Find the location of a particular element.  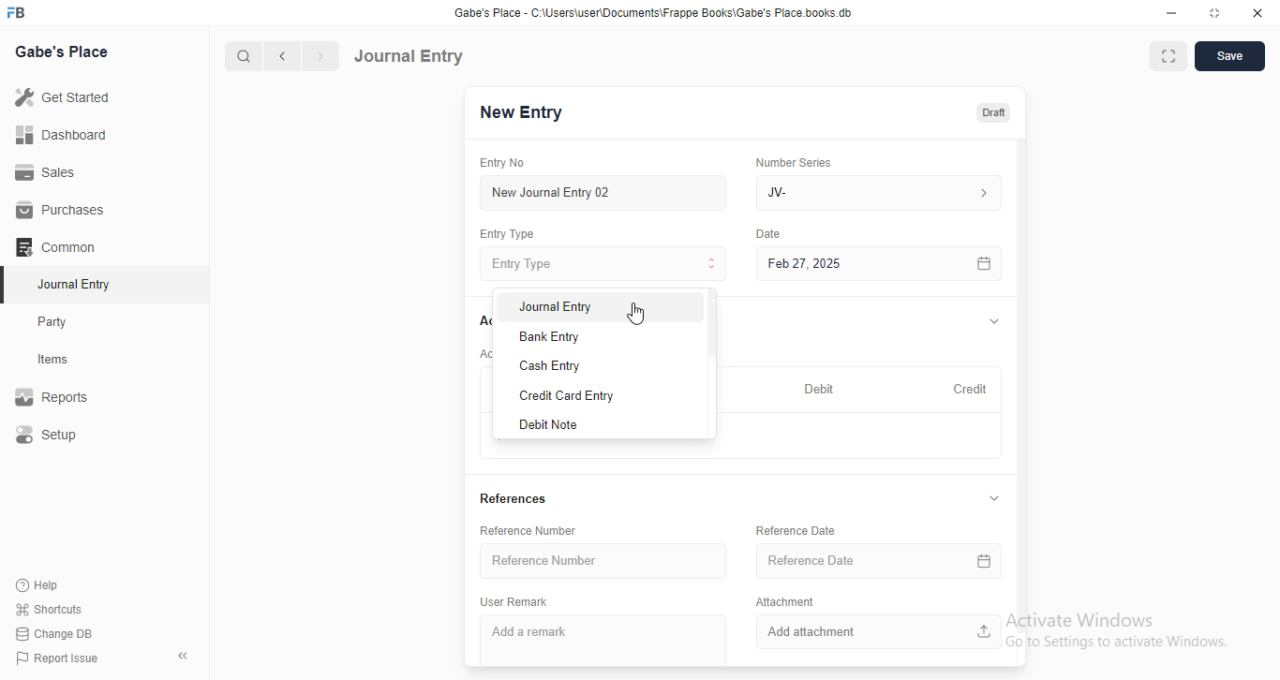

Search is located at coordinates (239, 56).